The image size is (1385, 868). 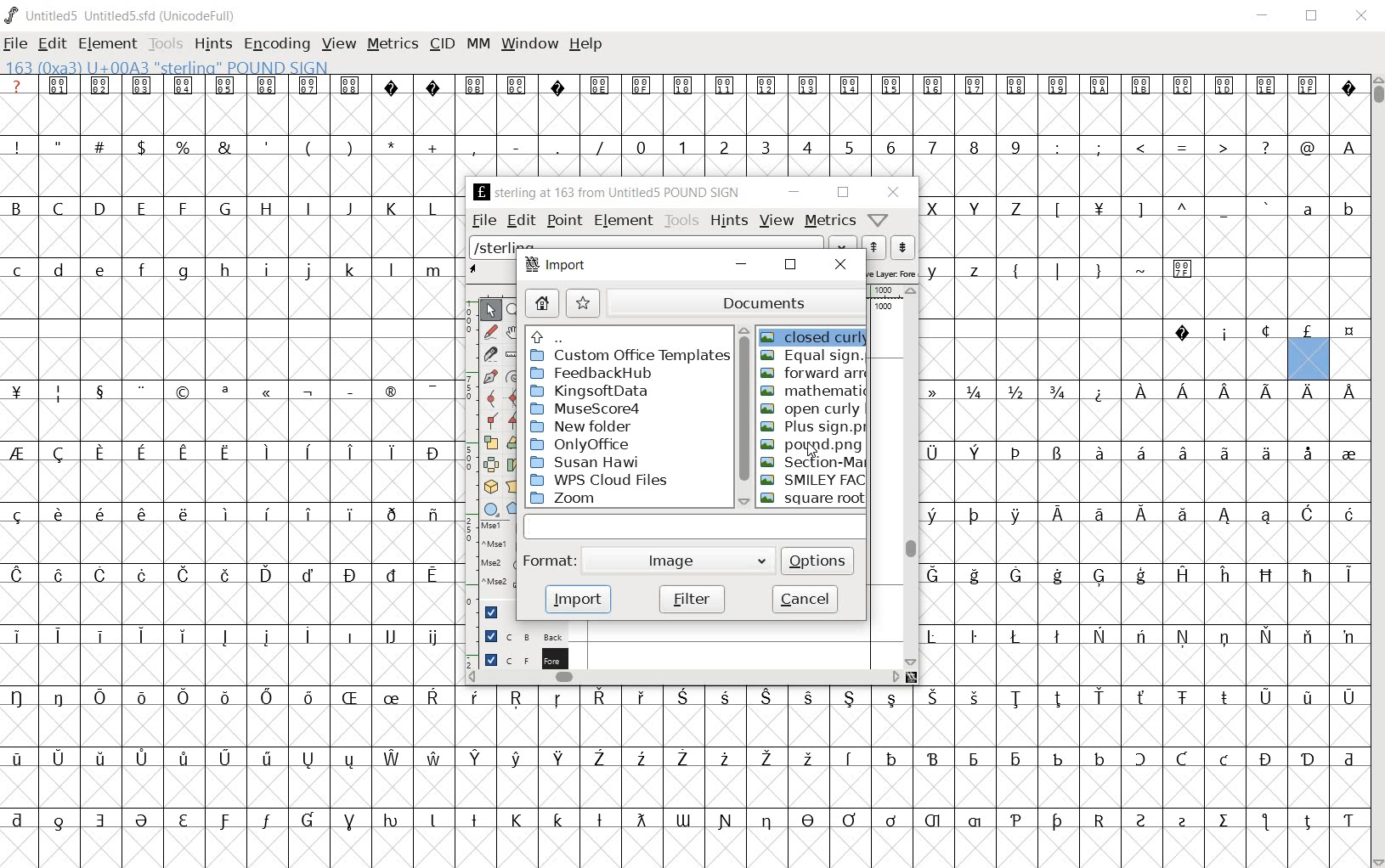 What do you see at coordinates (812, 336) in the screenshot?
I see `closed curl` at bounding box center [812, 336].